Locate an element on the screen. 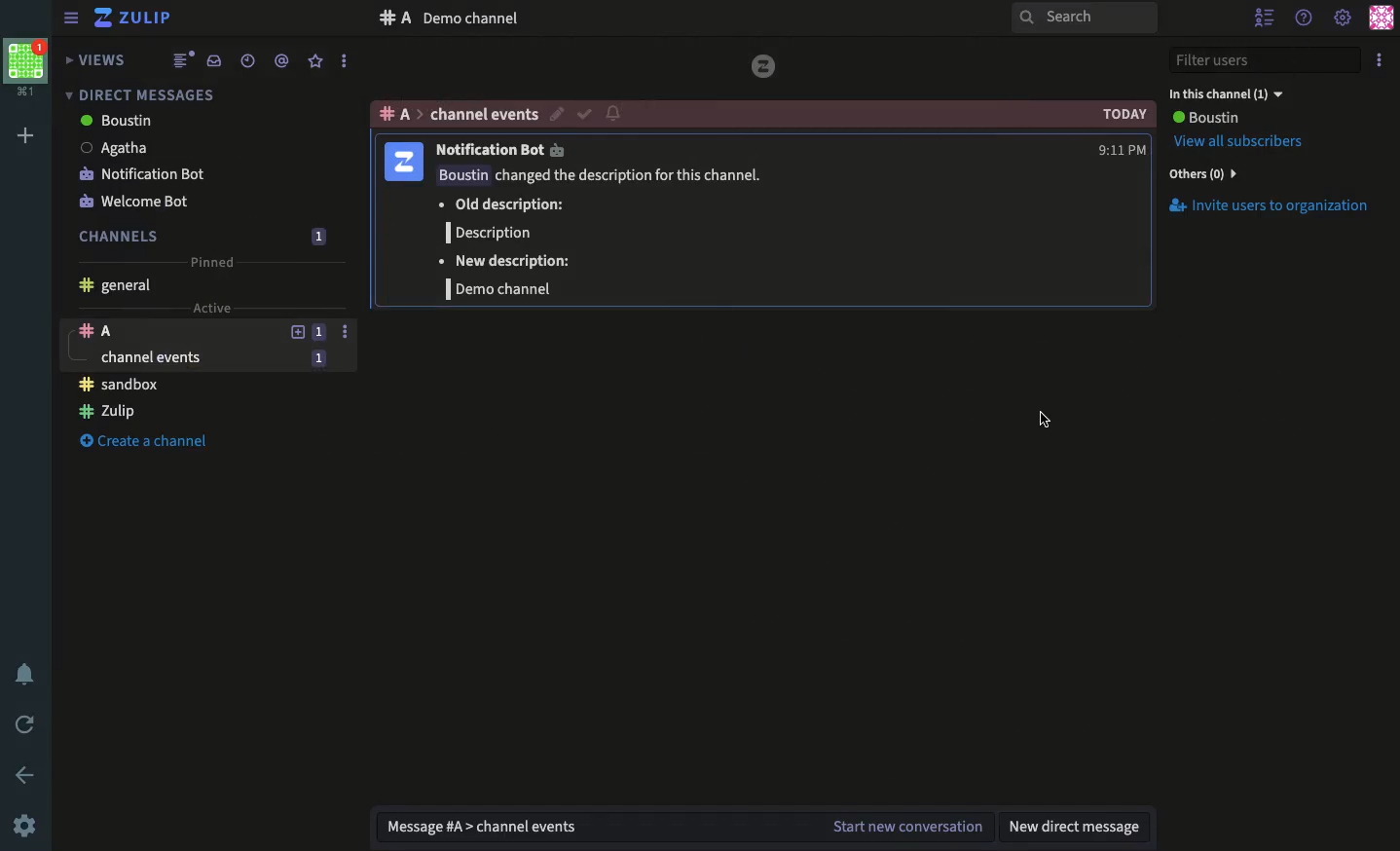  boustin is located at coordinates (119, 120).